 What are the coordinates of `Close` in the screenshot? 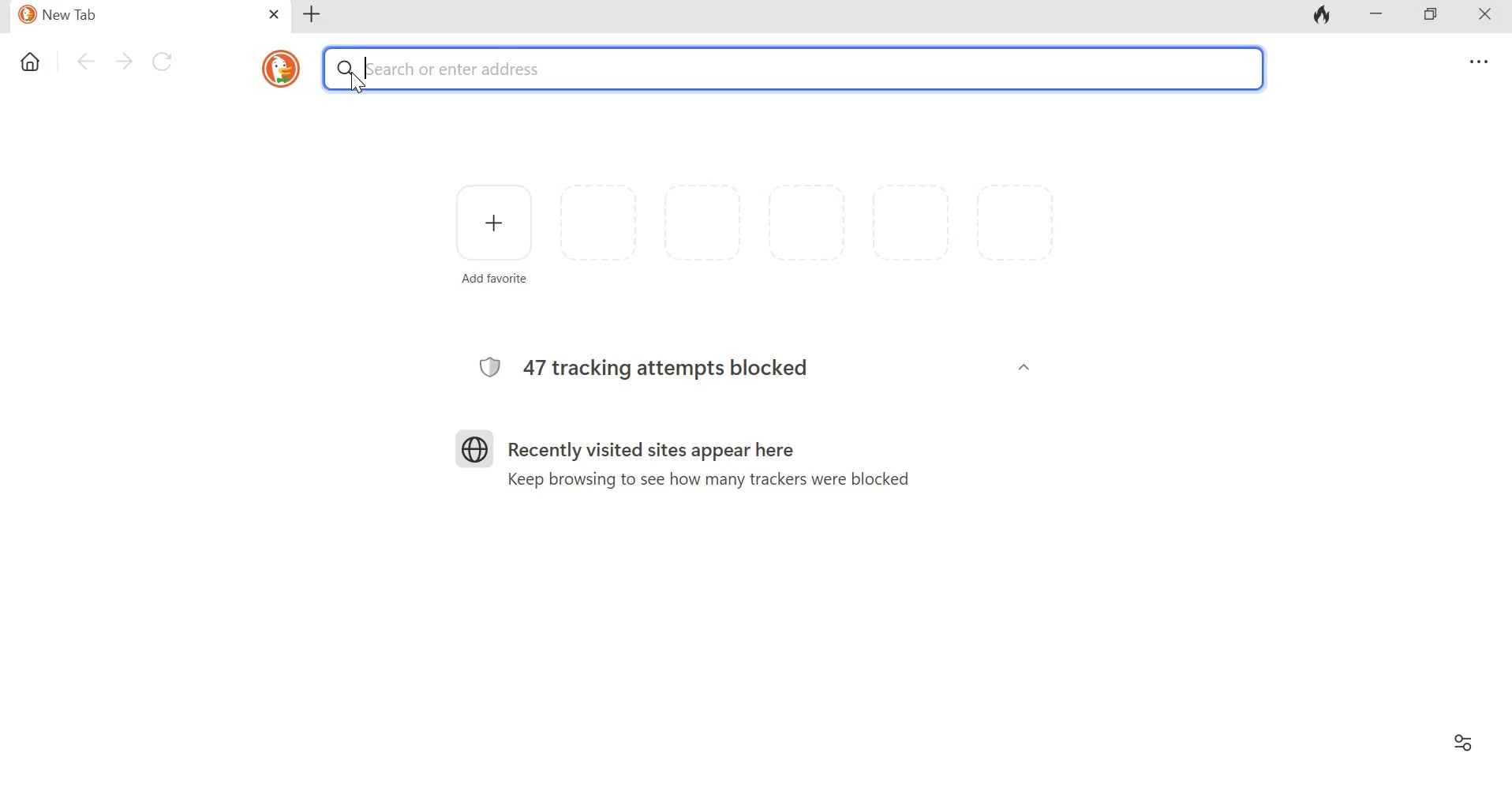 It's located at (1489, 18).